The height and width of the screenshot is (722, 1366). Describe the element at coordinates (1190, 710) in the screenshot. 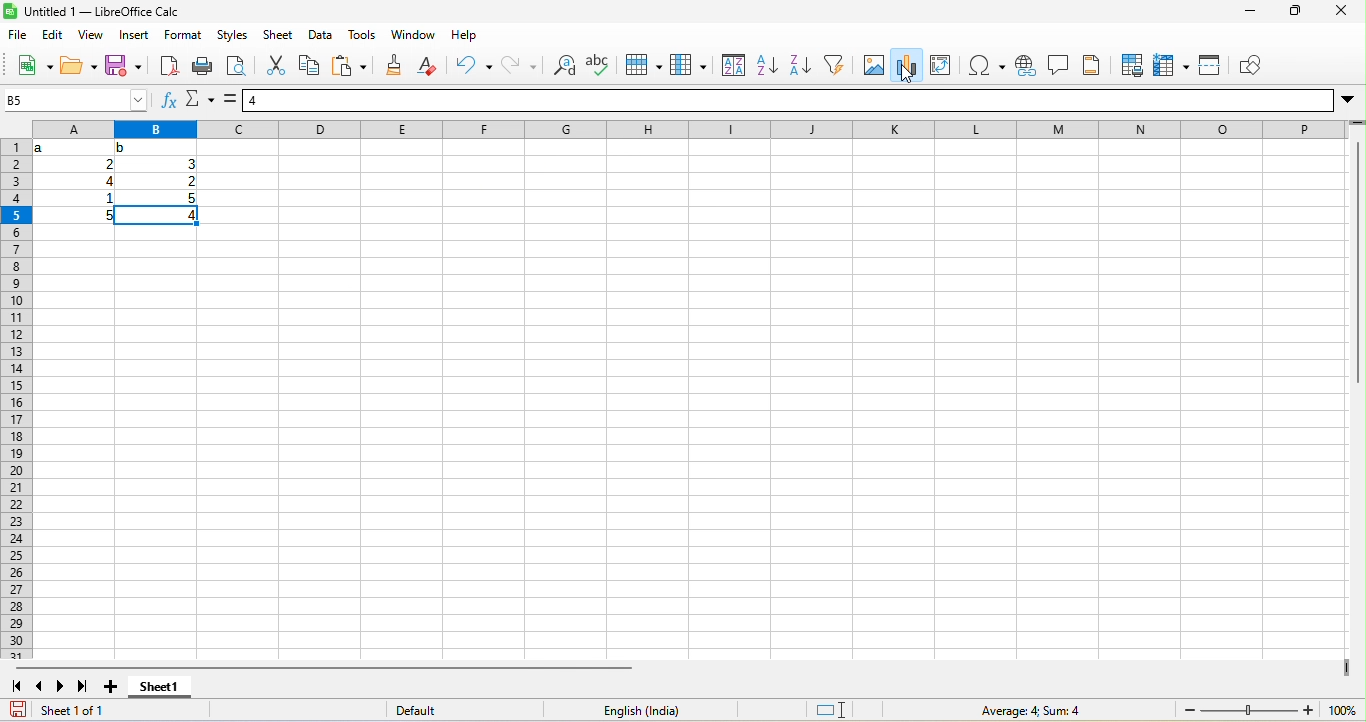

I see `Zoom out` at that location.